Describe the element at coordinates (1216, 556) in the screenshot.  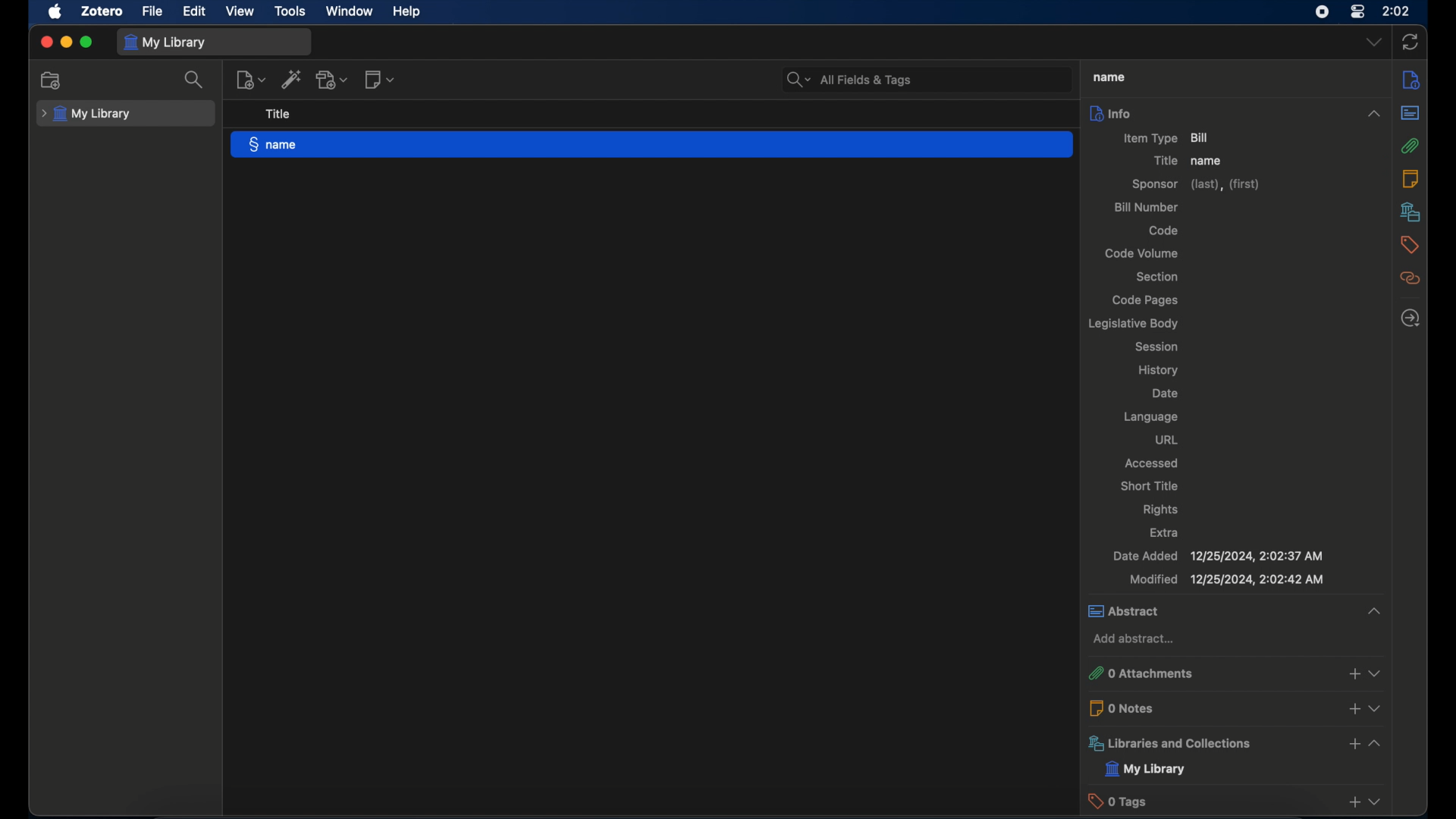
I see `date added` at that location.